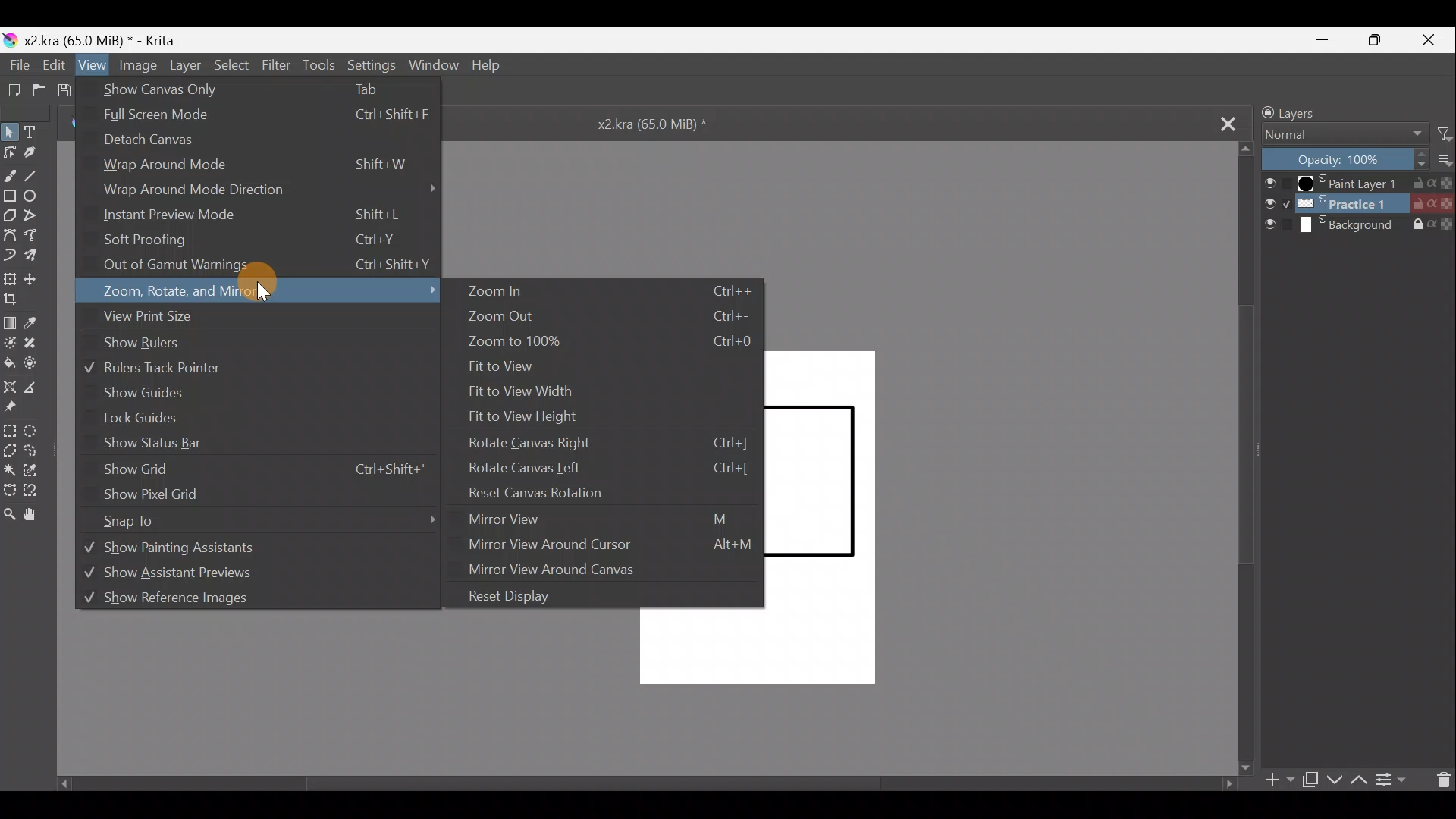 The image size is (1456, 819). What do you see at coordinates (158, 494) in the screenshot?
I see `Show pixel grid` at bounding box center [158, 494].